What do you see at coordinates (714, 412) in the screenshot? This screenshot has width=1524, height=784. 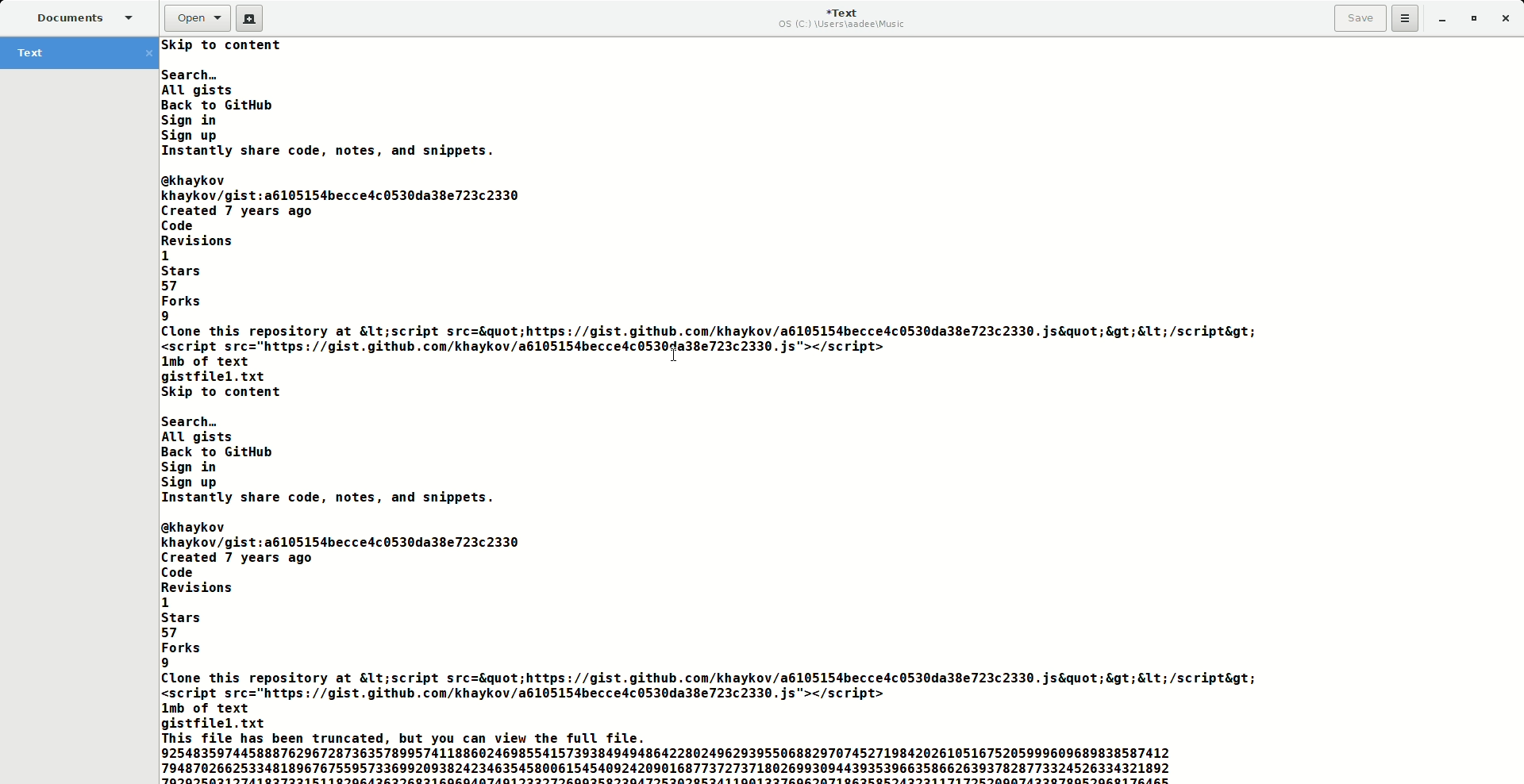 I see `Text` at bounding box center [714, 412].